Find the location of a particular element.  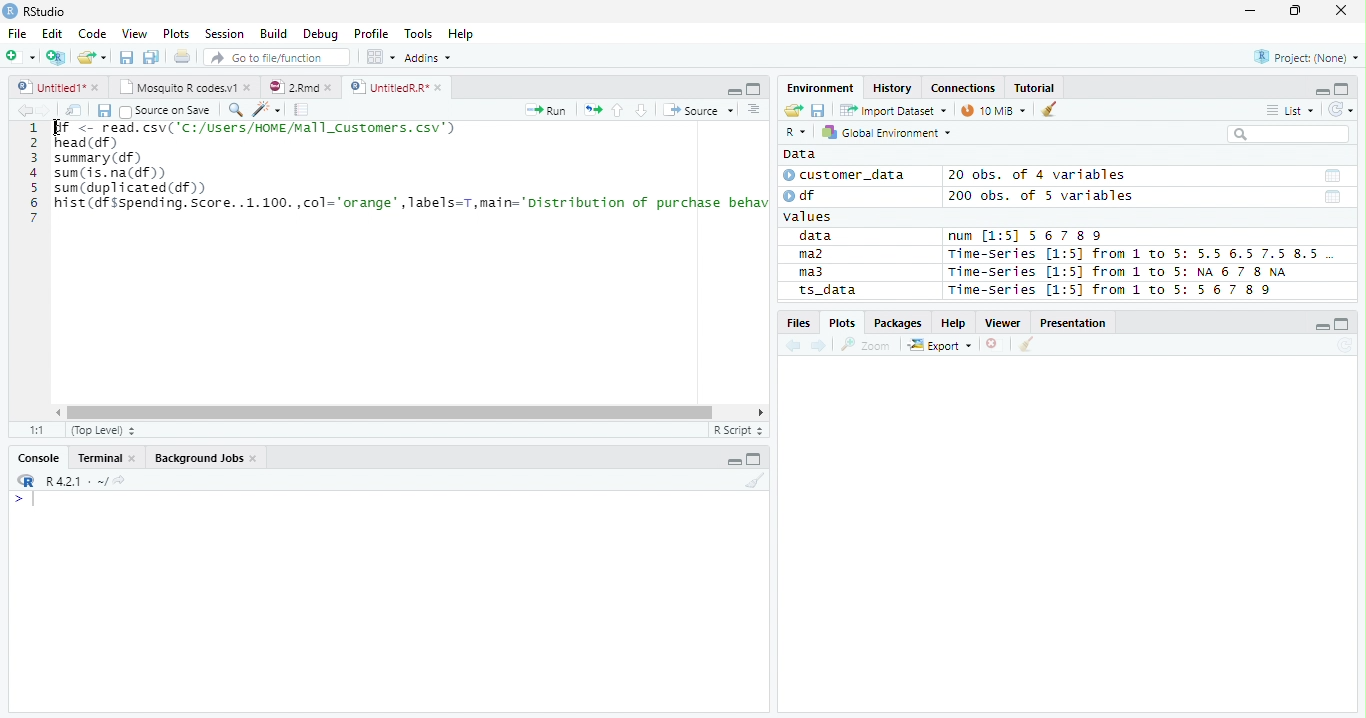

Refresh is located at coordinates (1341, 107).